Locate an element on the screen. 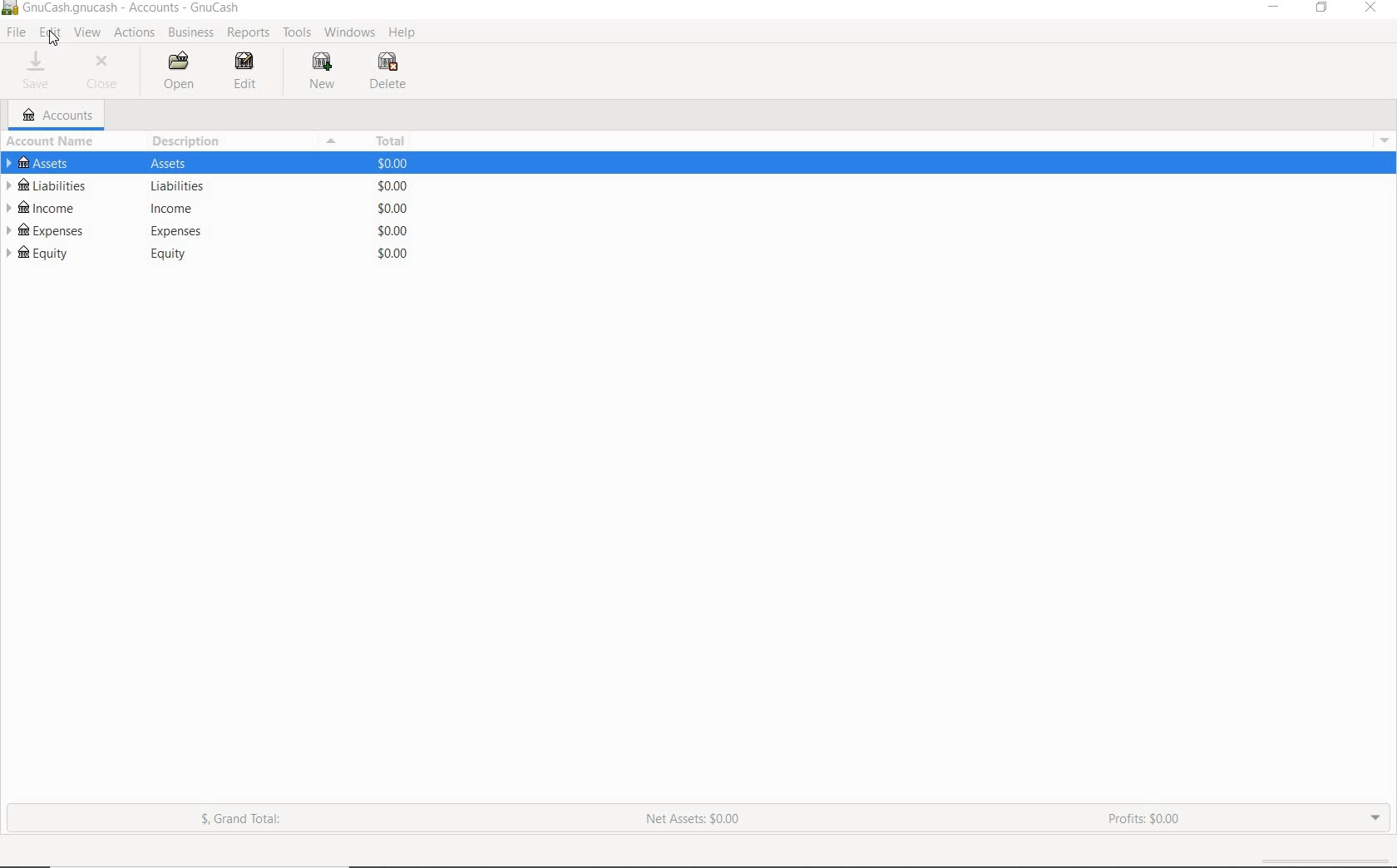 The width and height of the screenshot is (1397, 868). EXPENSES is located at coordinates (206, 231).